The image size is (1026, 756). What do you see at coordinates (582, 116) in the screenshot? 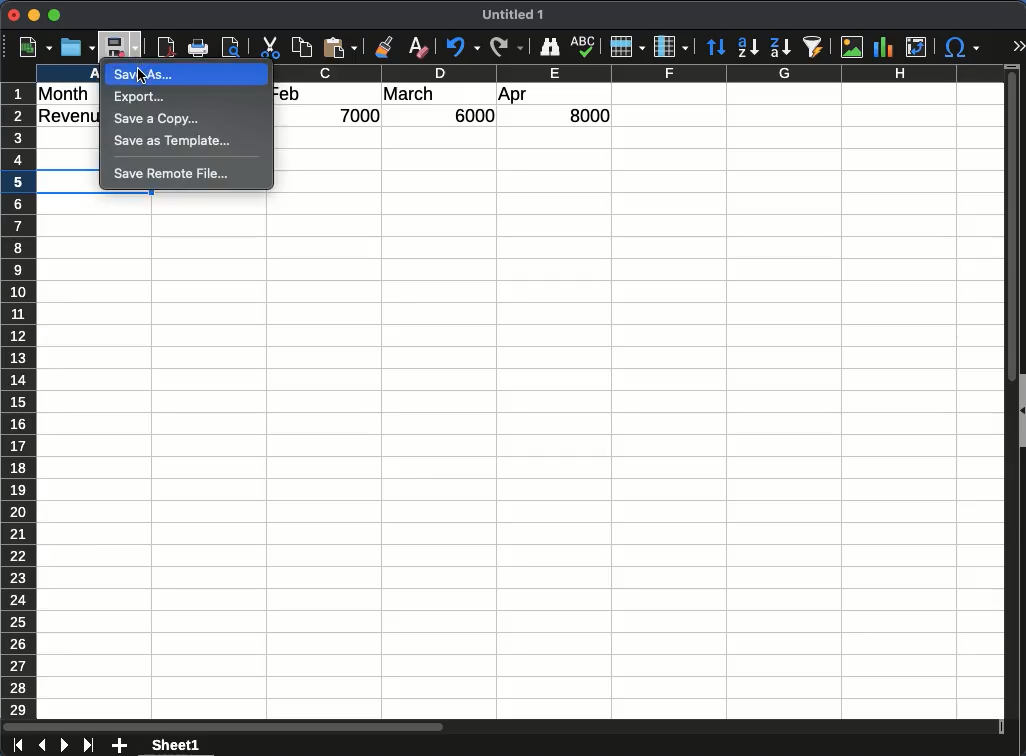
I see `8000` at bounding box center [582, 116].